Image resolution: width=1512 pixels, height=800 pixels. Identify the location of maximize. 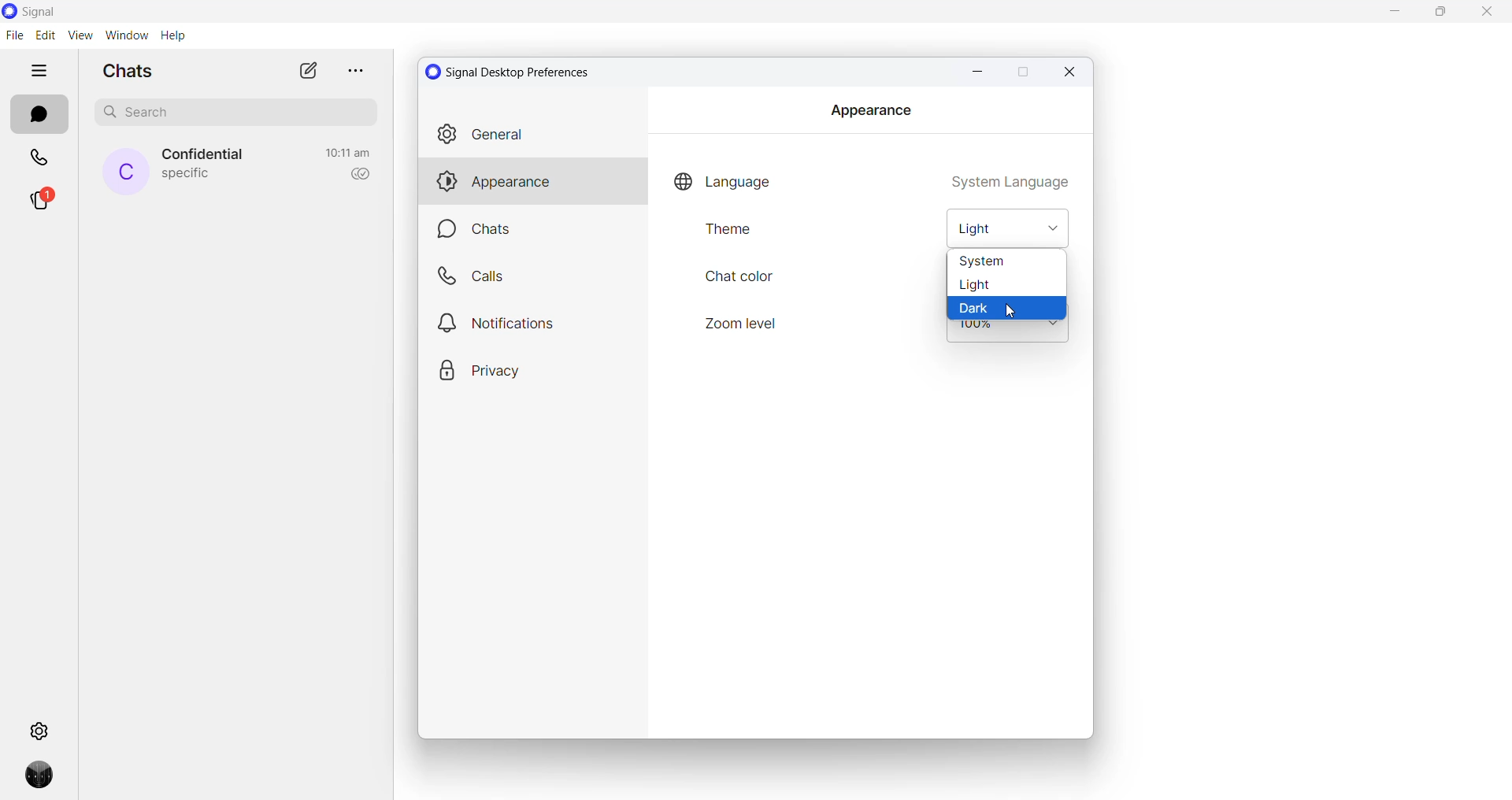
(1021, 73).